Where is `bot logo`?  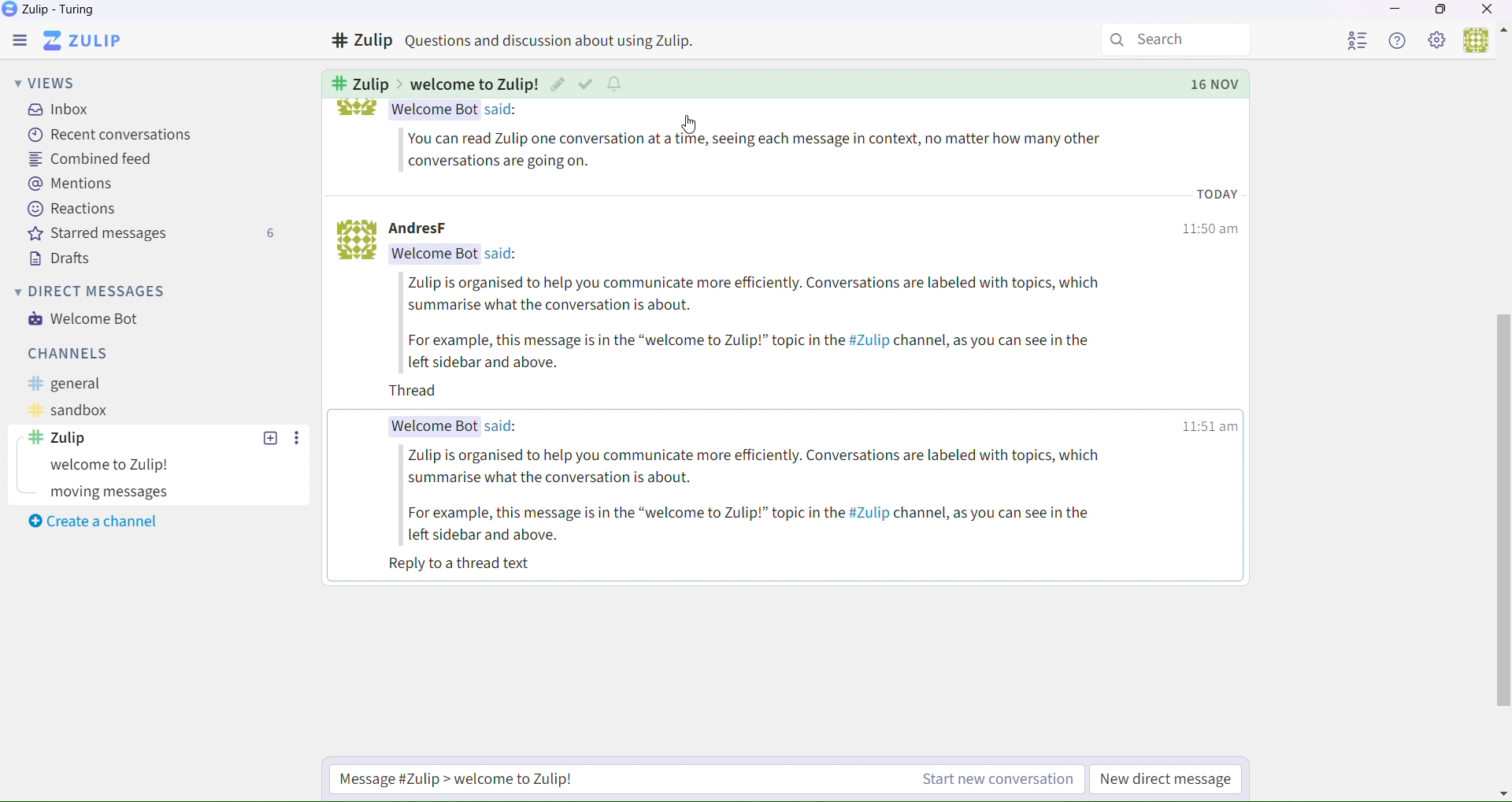
bot logo is located at coordinates (358, 124).